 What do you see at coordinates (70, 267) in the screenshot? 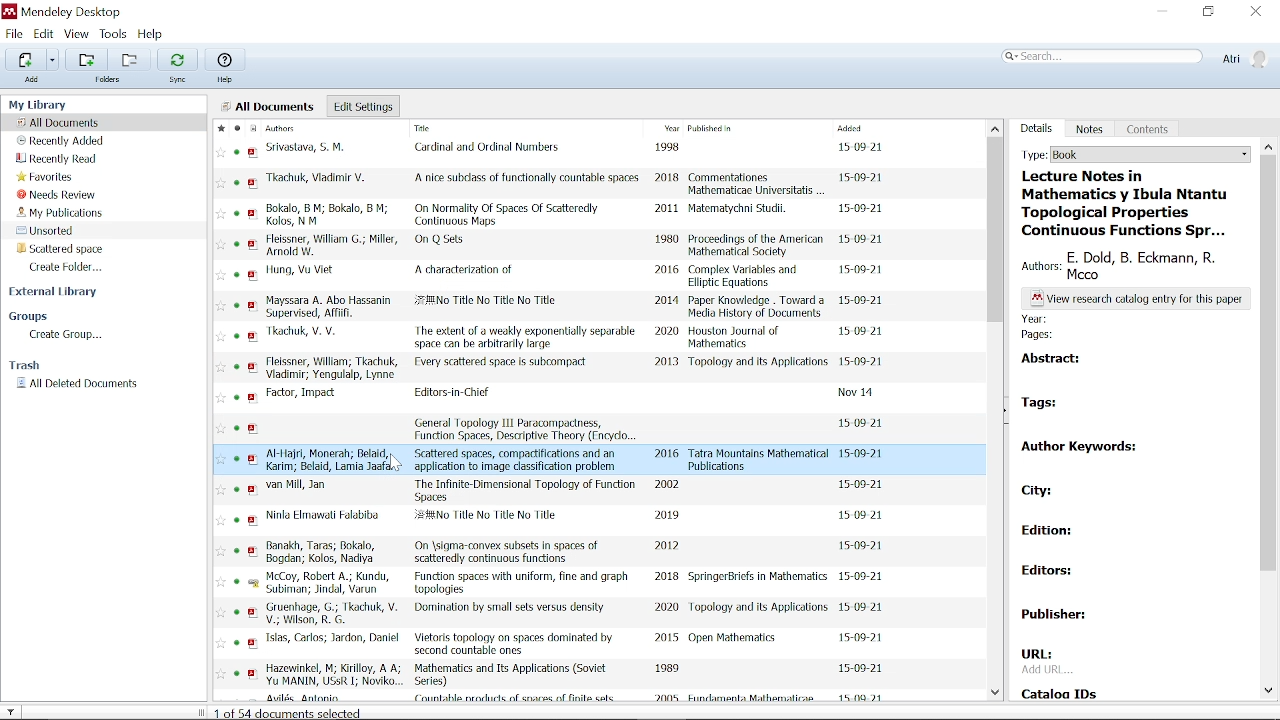
I see `Create folder` at bounding box center [70, 267].